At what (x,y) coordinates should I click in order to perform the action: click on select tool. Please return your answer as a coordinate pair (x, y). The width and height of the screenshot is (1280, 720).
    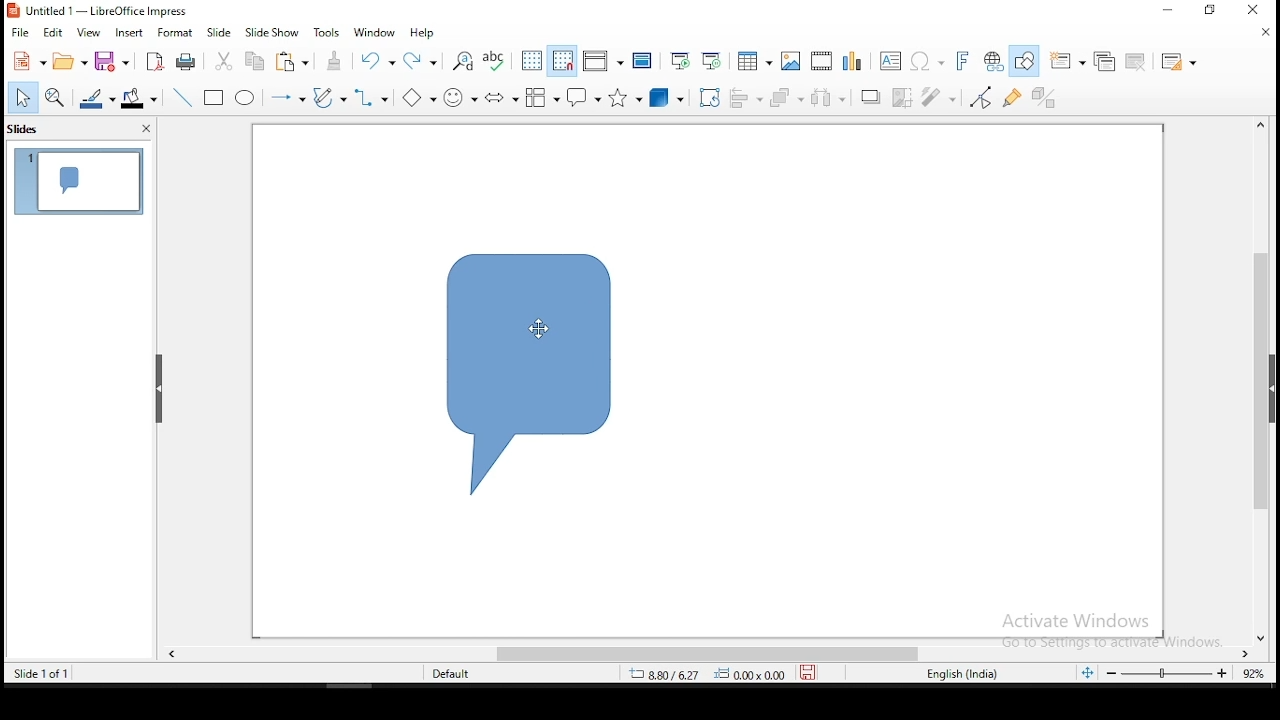
    Looking at the image, I should click on (24, 97).